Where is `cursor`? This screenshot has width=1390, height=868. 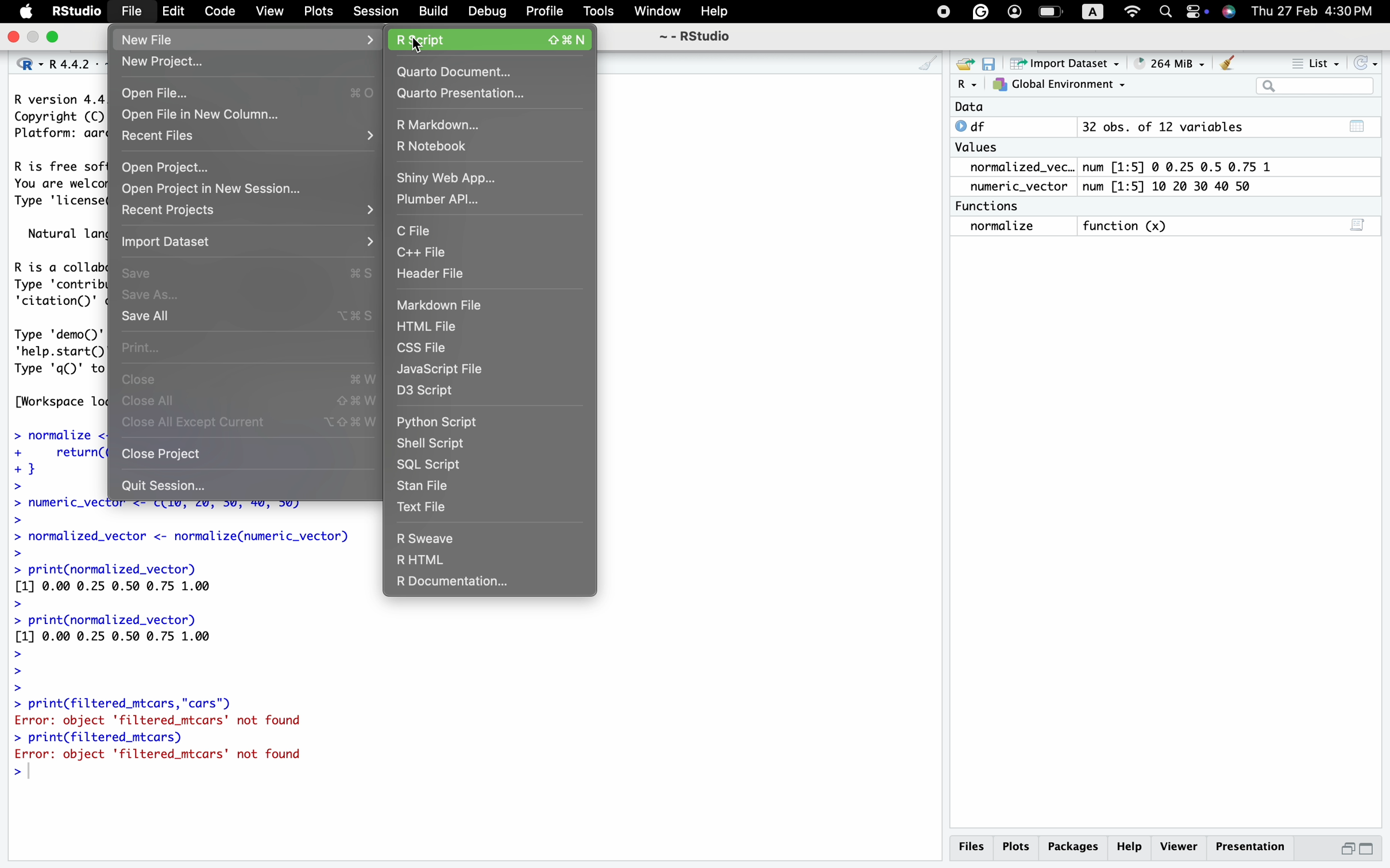
cursor is located at coordinates (420, 47).